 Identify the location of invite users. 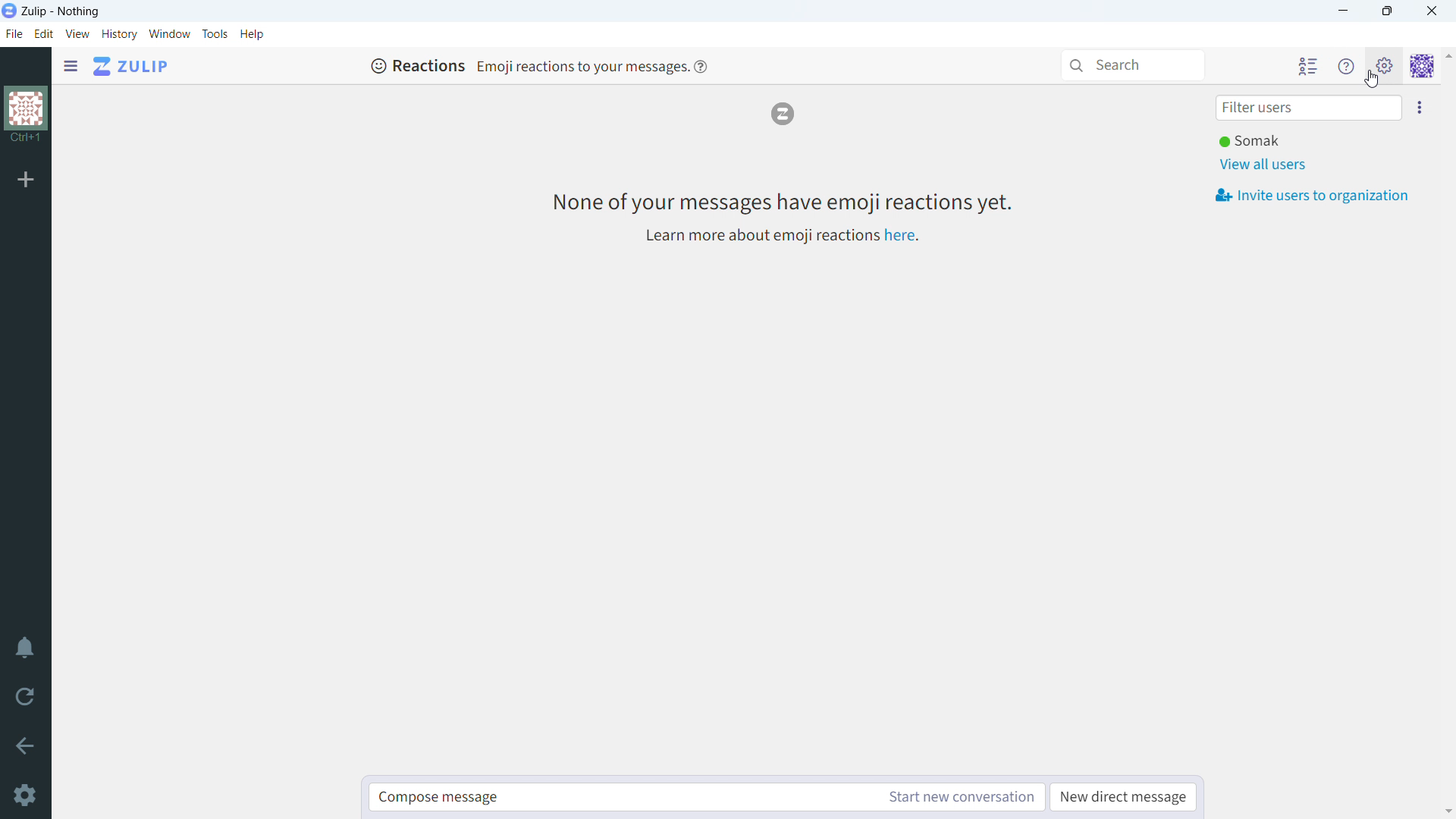
(1419, 108).